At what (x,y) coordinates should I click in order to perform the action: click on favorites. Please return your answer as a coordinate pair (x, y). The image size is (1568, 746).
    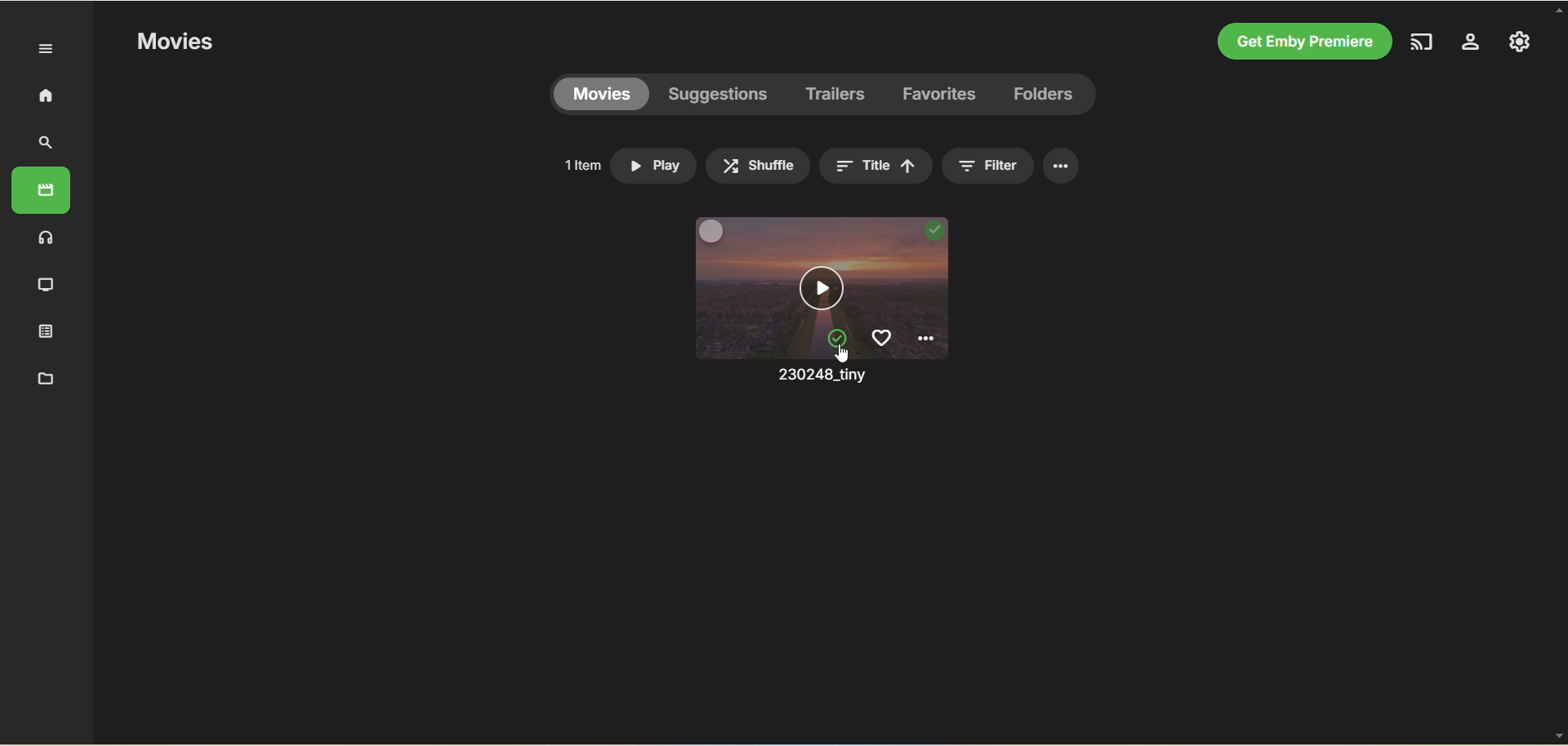
    Looking at the image, I should click on (942, 99).